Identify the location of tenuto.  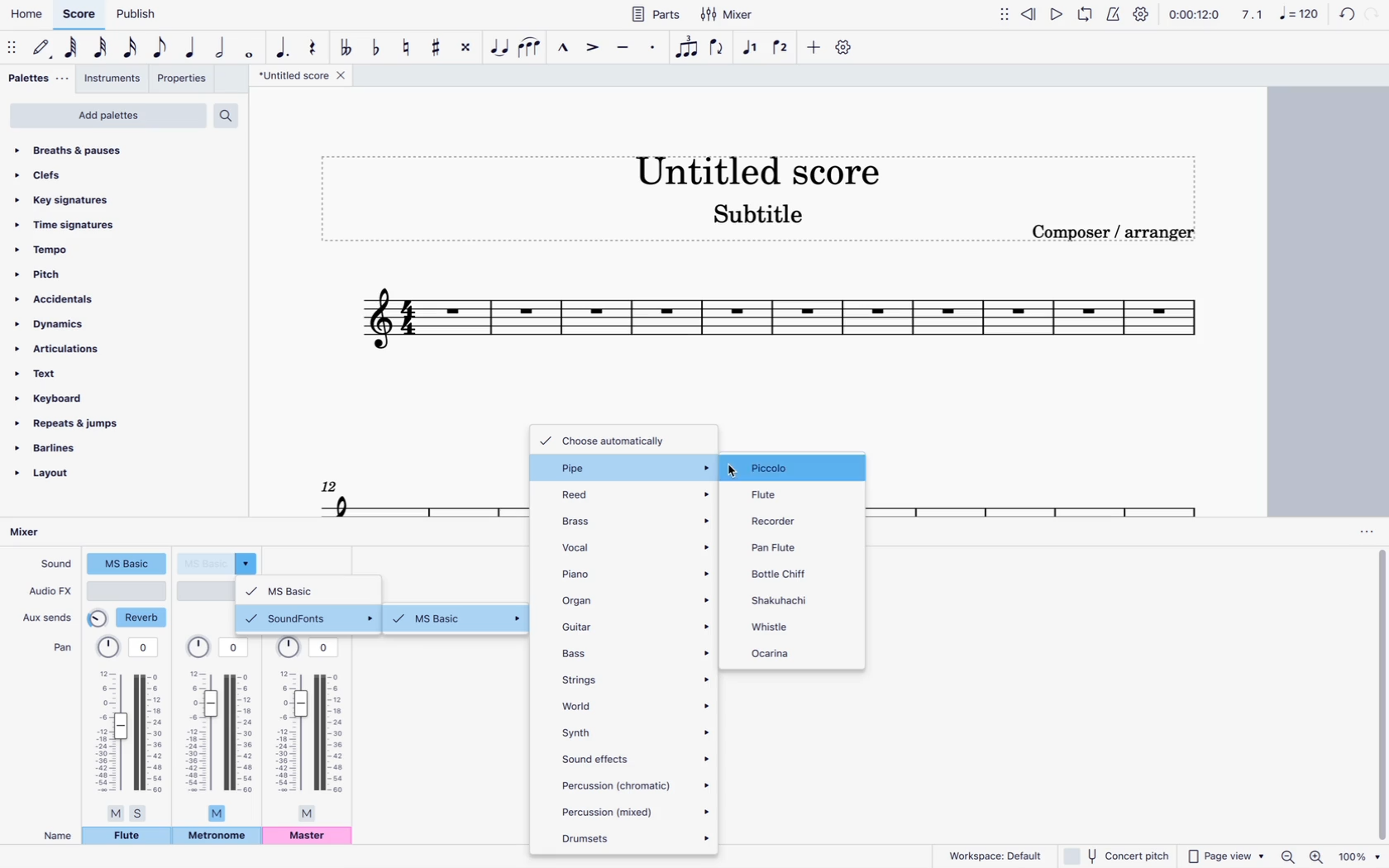
(621, 48).